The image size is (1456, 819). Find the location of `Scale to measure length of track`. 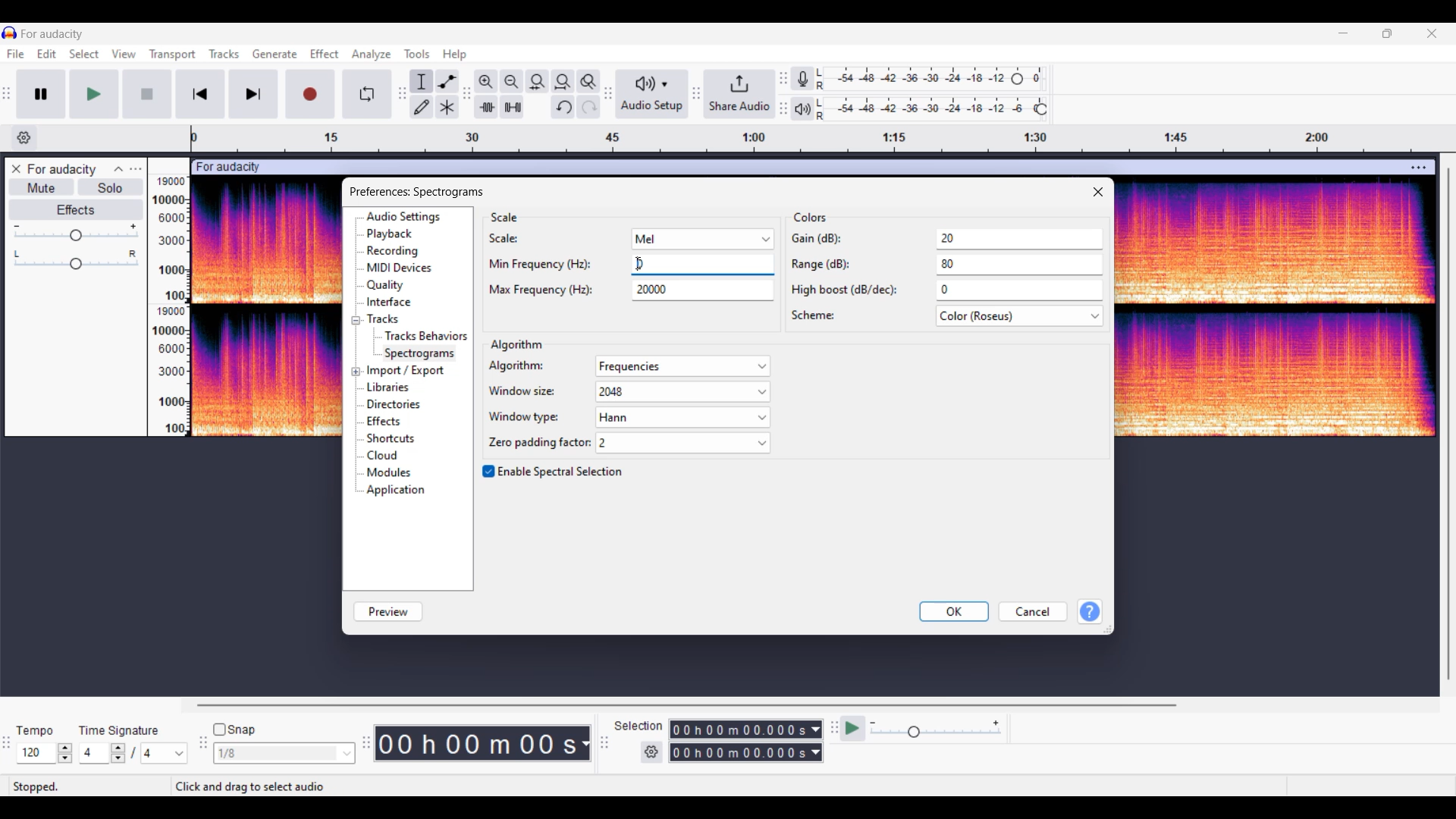

Scale to measure length of track is located at coordinates (816, 139).